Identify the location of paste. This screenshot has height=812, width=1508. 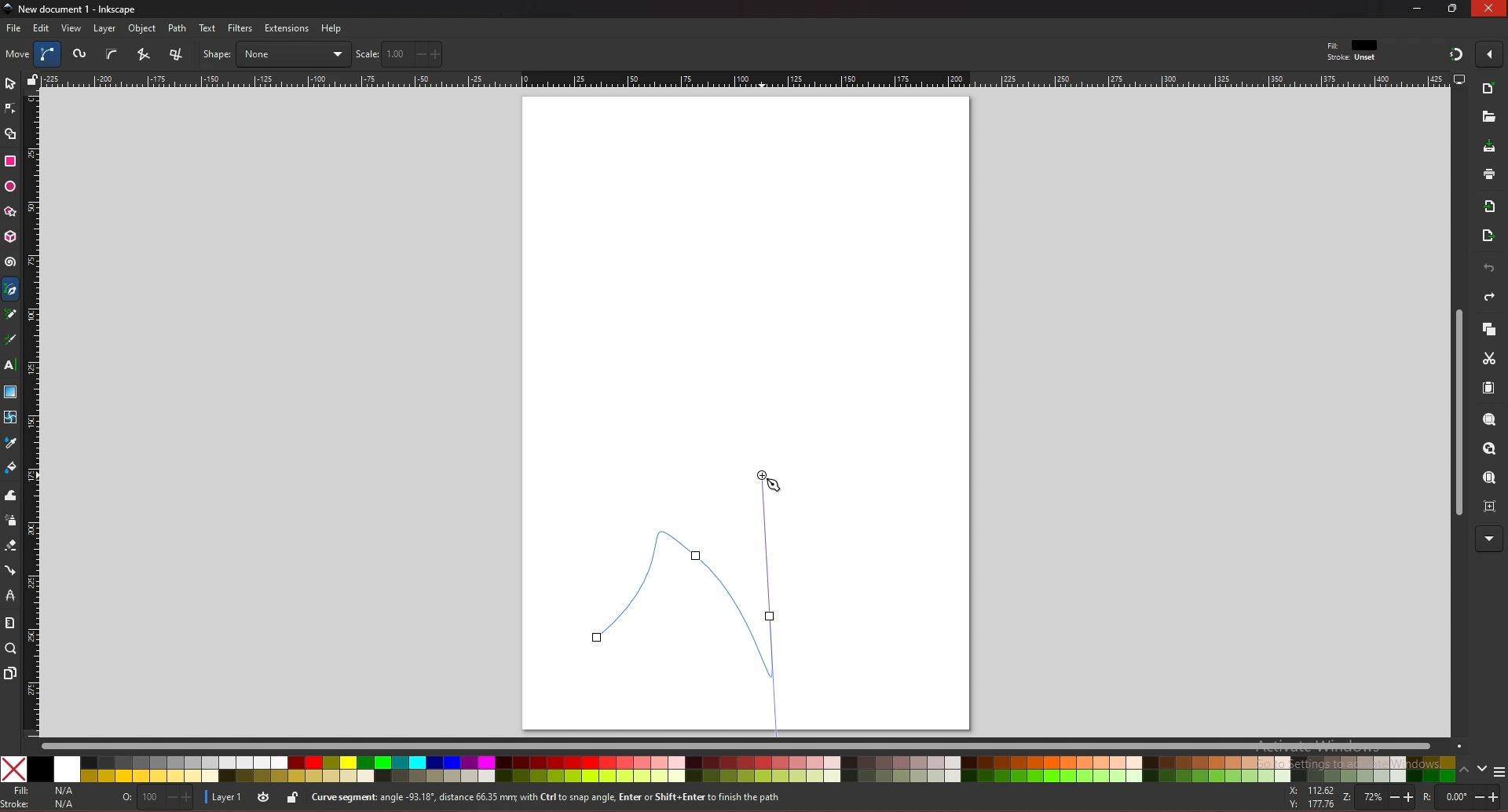
(1488, 389).